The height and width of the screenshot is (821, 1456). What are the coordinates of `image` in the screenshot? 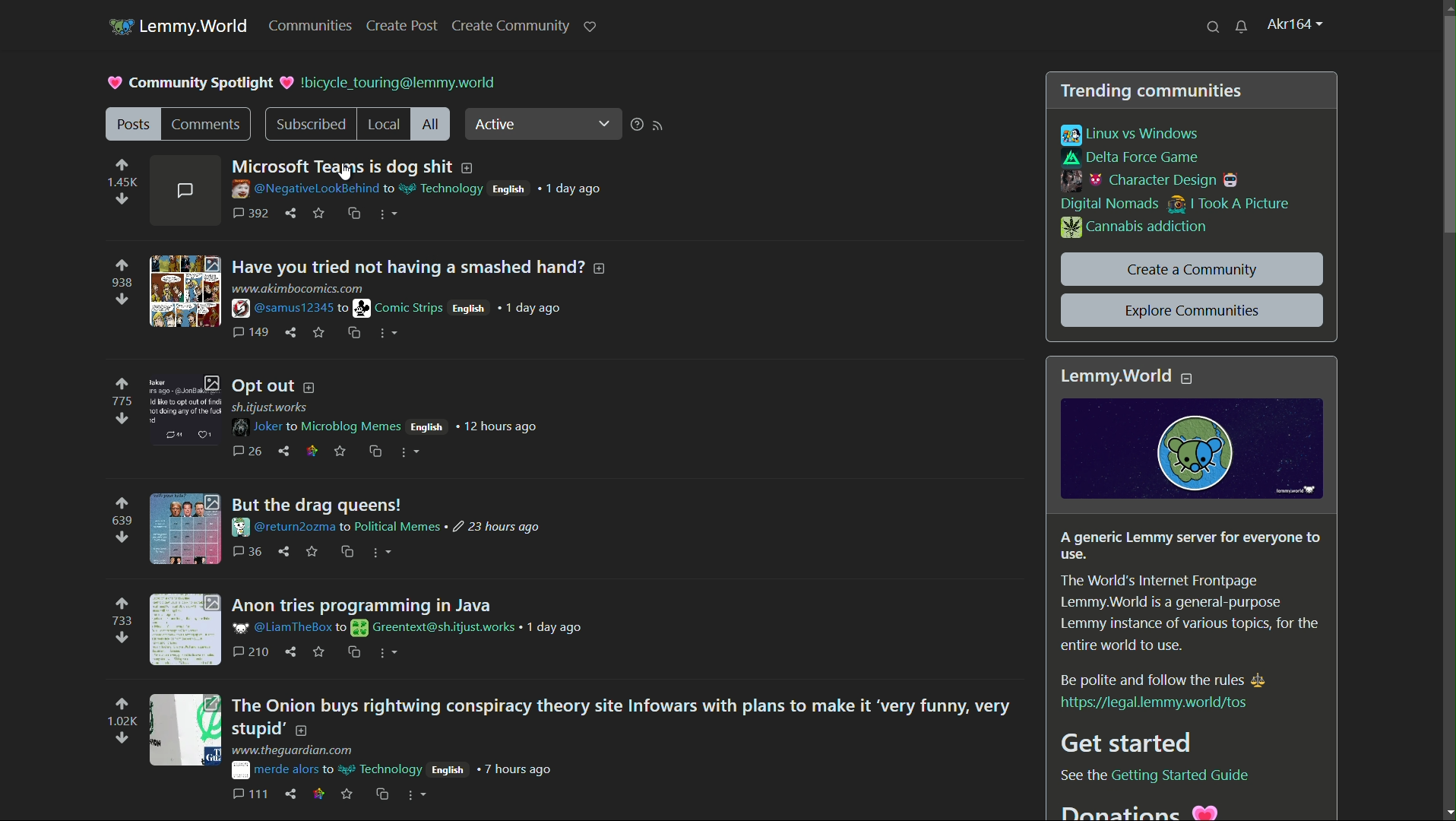 It's located at (1192, 450).